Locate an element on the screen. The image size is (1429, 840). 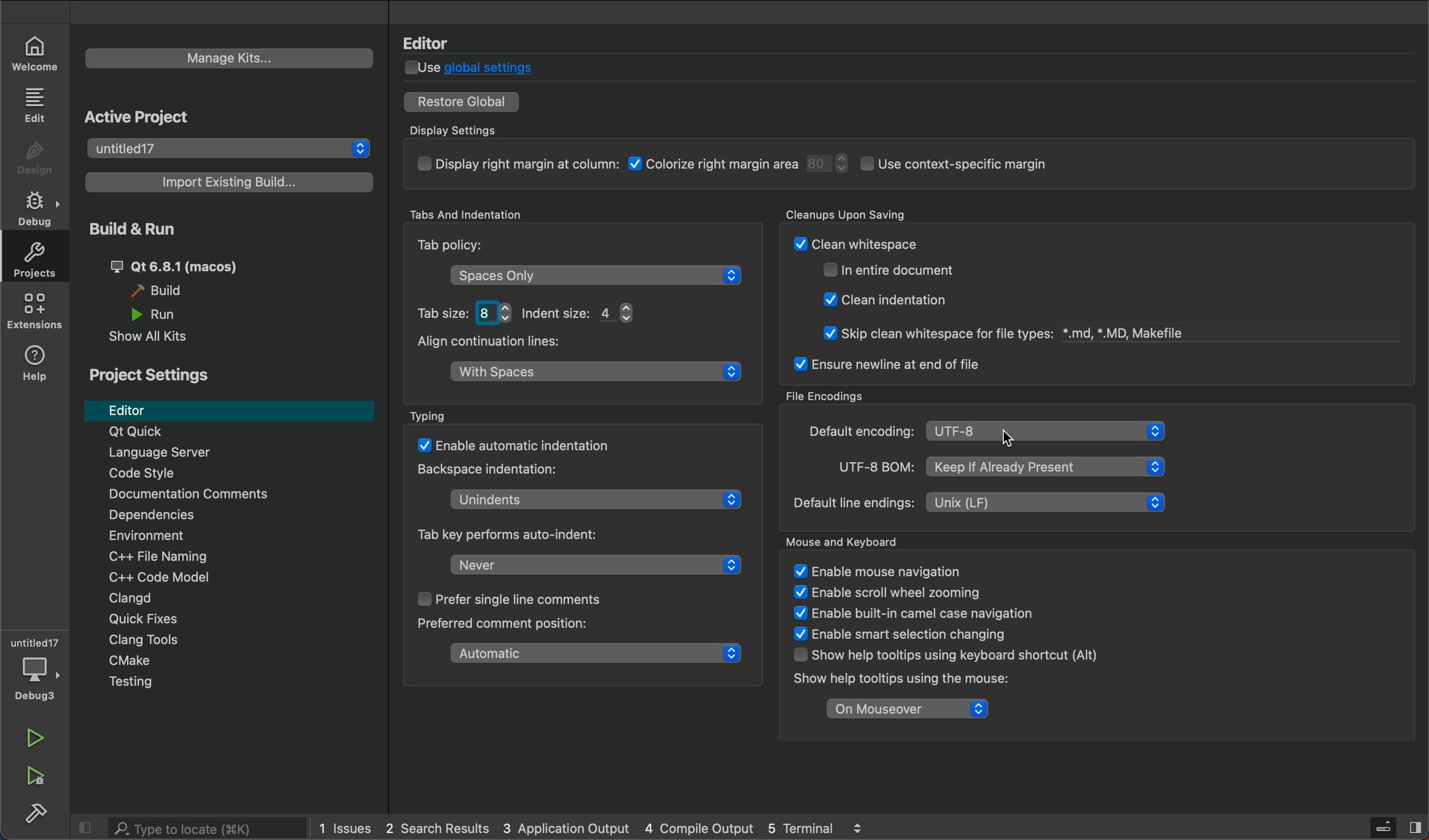
tab key auto indent is located at coordinates (595, 565).